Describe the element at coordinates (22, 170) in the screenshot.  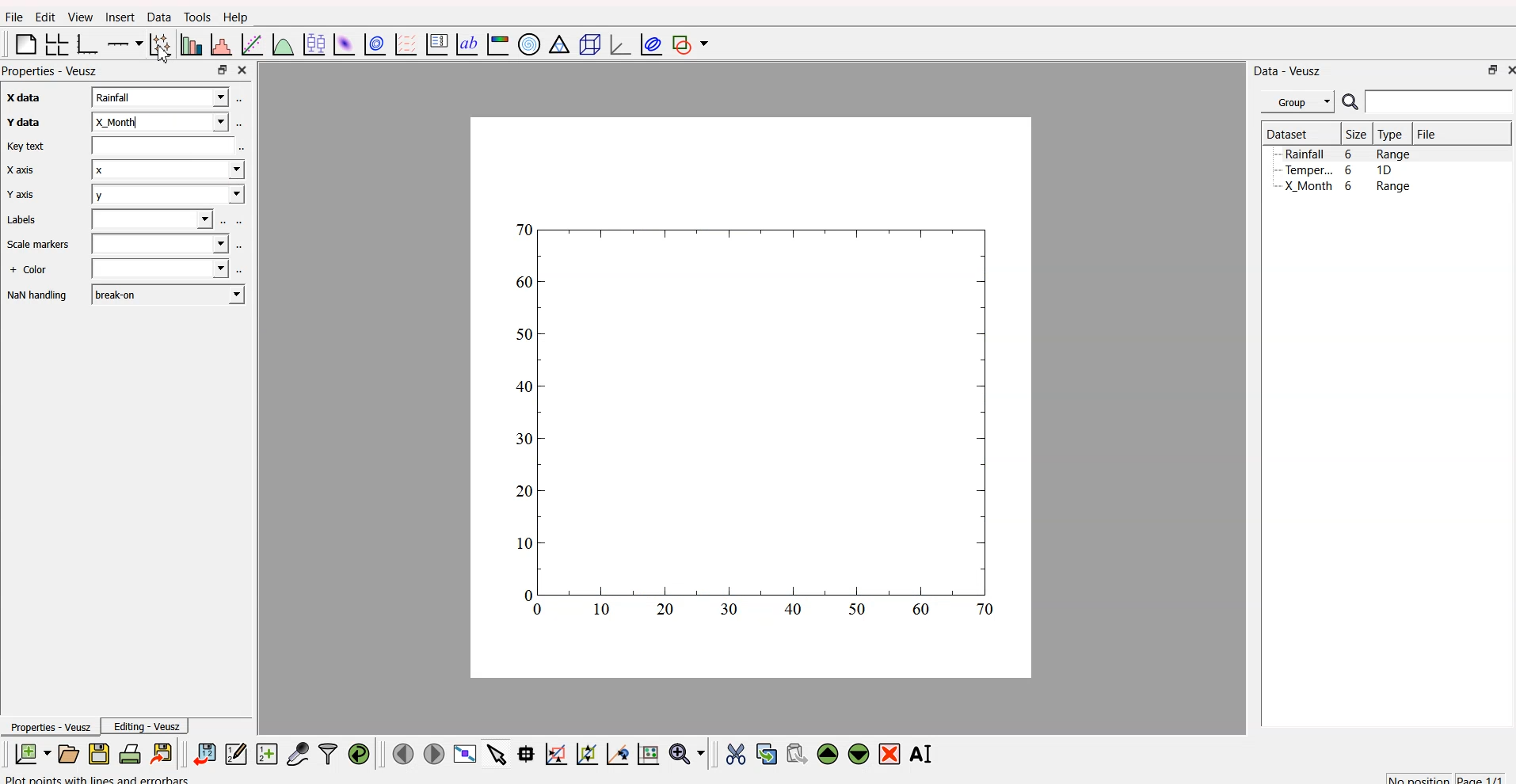
I see `X axis` at that location.